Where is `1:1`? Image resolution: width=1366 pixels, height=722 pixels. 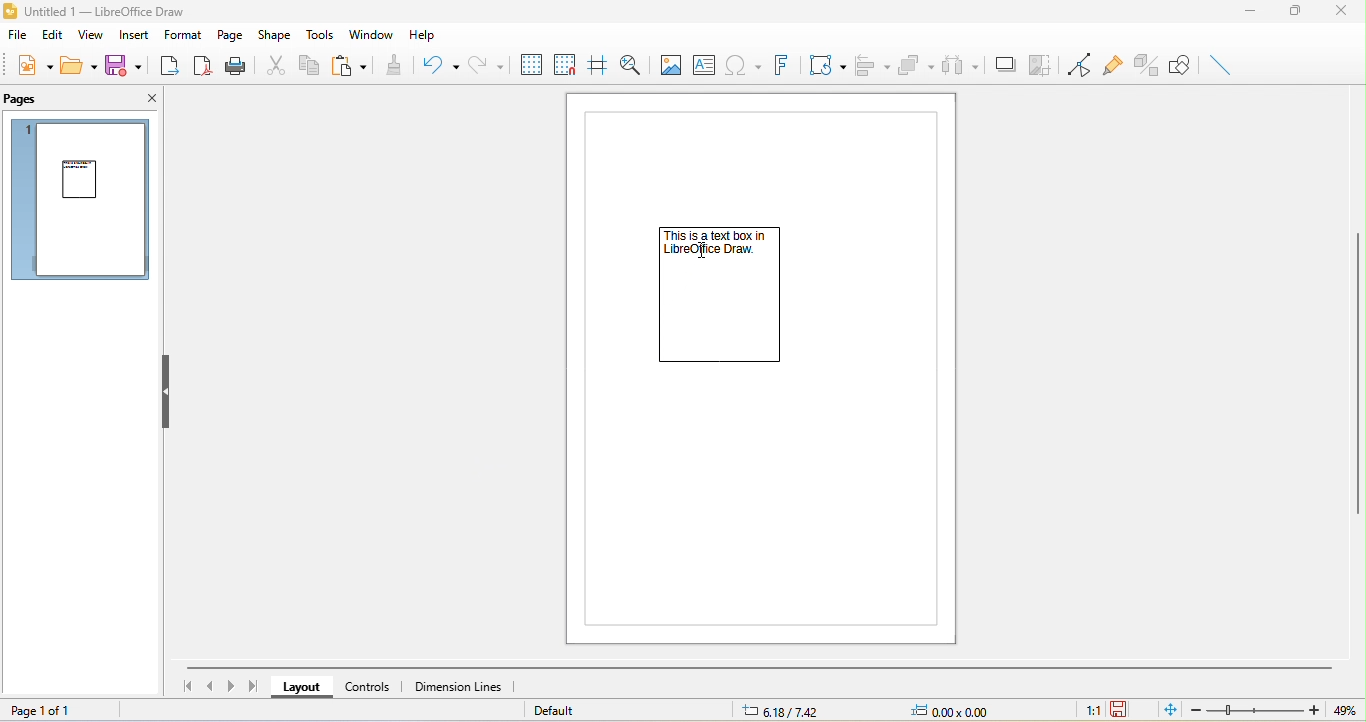
1:1 is located at coordinates (1092, 710).